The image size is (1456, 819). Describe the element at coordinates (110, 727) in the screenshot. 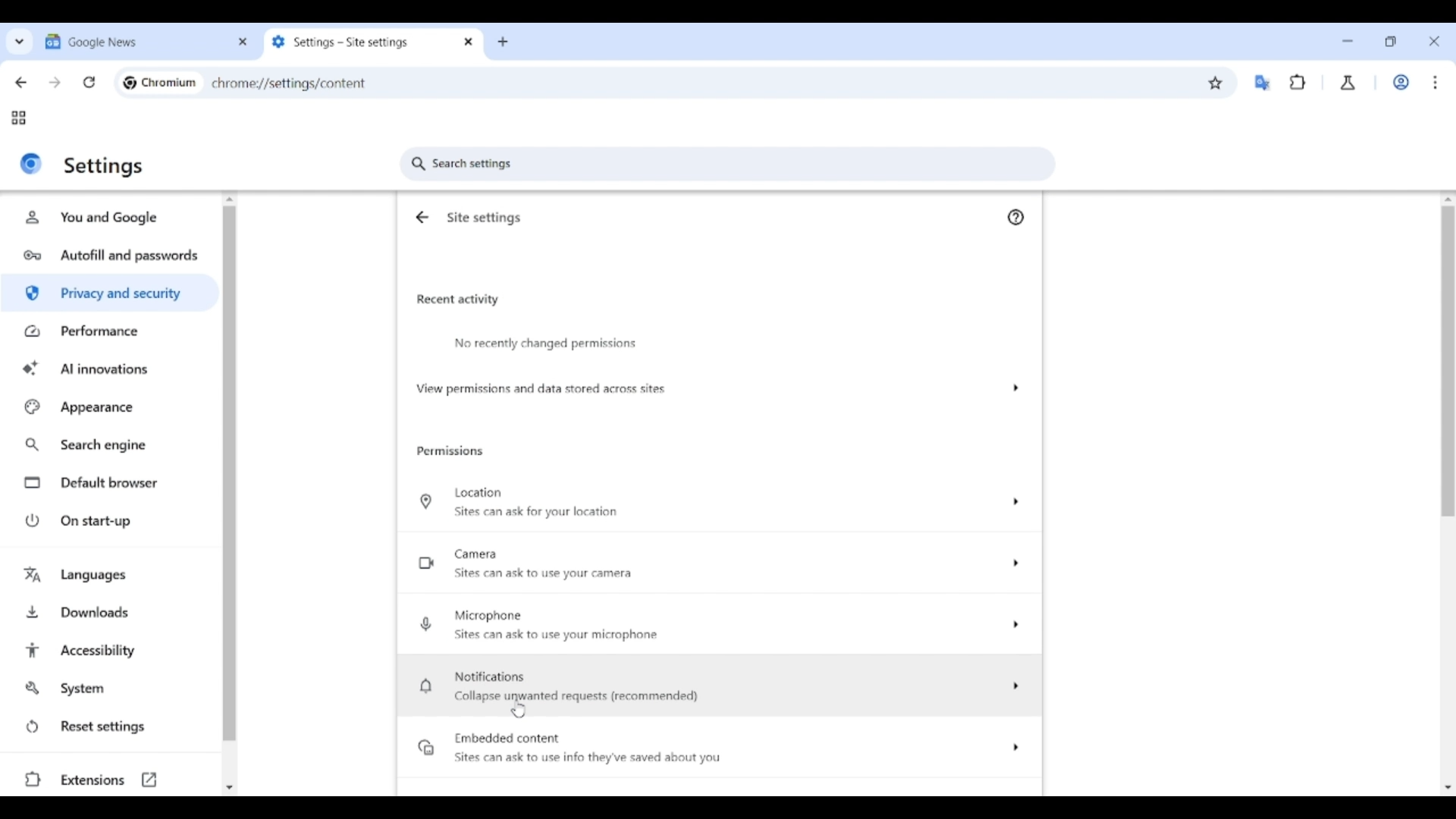

I see `Reset settings` at that location.